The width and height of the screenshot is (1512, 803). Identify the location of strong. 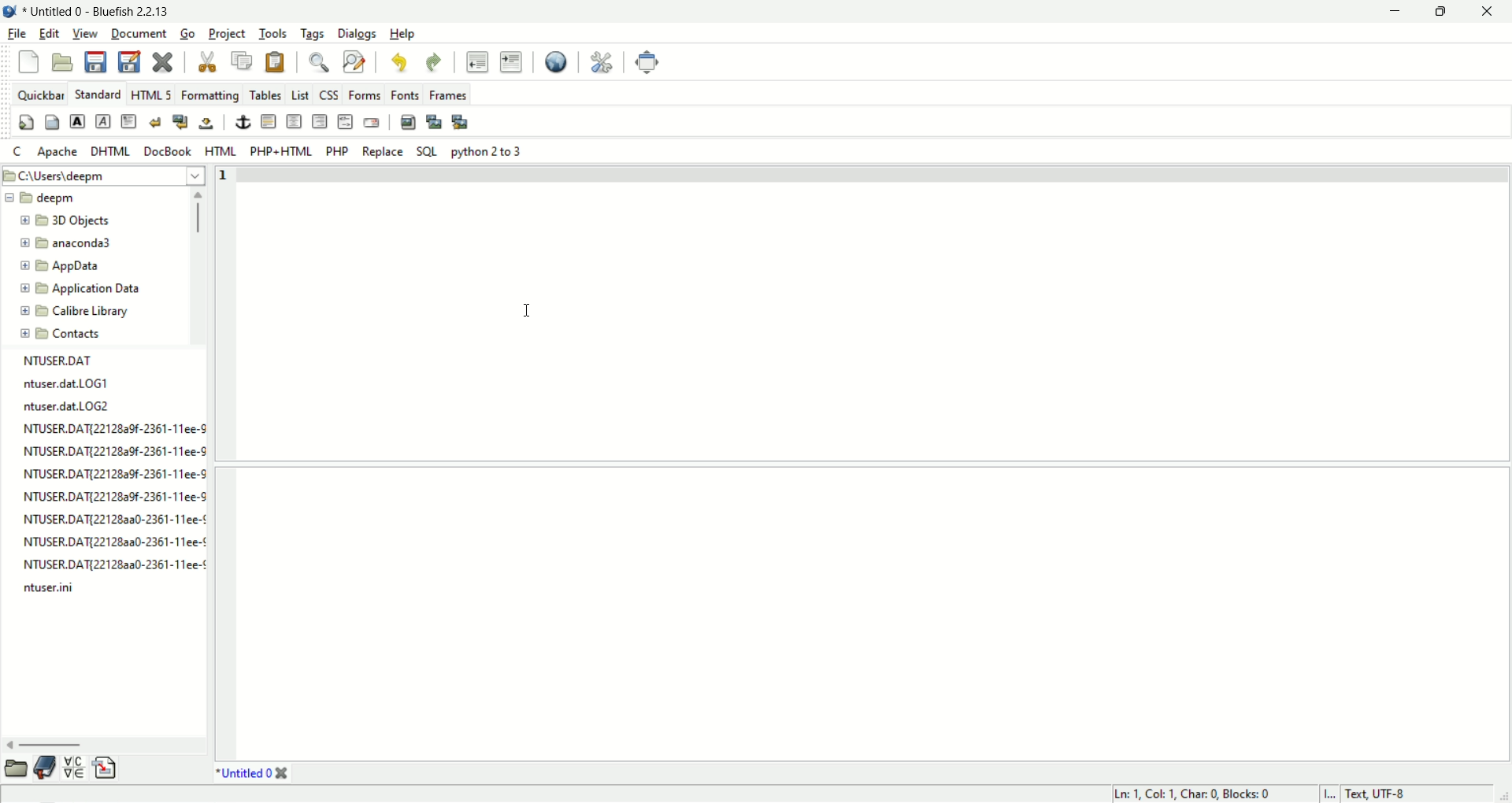
(79, 121).